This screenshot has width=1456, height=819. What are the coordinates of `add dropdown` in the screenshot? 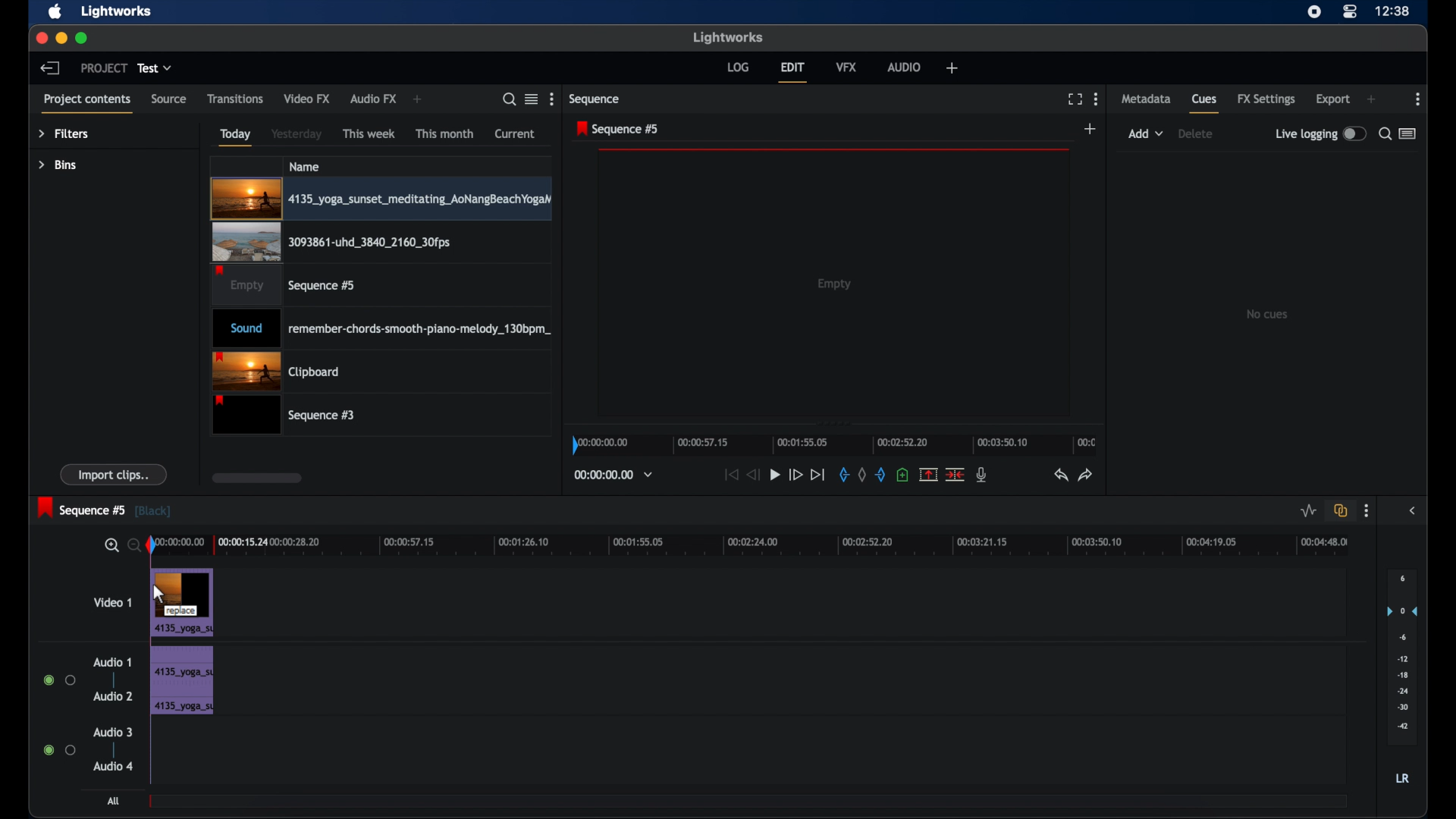 It's located at (1146, 133).